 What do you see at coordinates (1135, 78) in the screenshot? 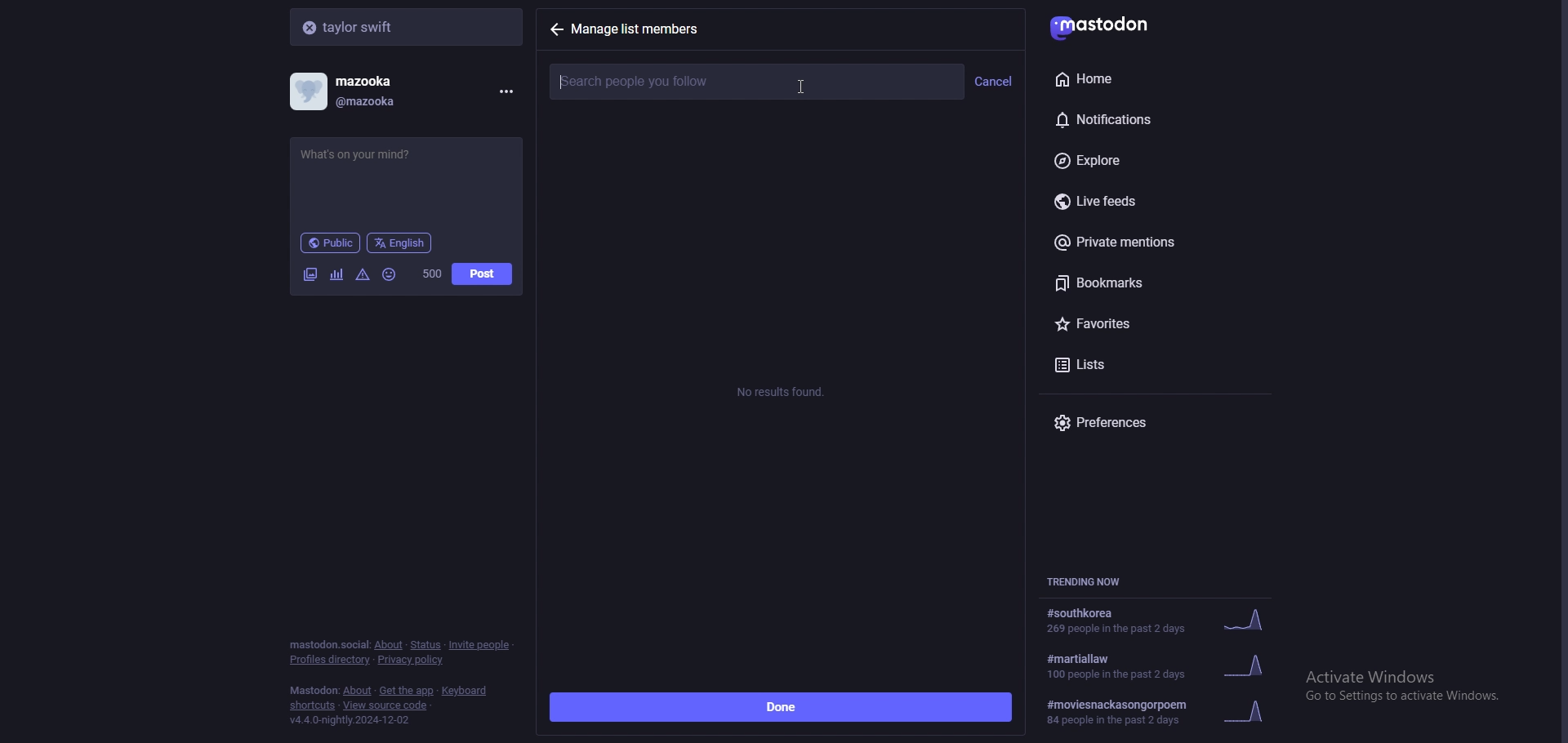
I see `home` at bounding box center [1135, 78].